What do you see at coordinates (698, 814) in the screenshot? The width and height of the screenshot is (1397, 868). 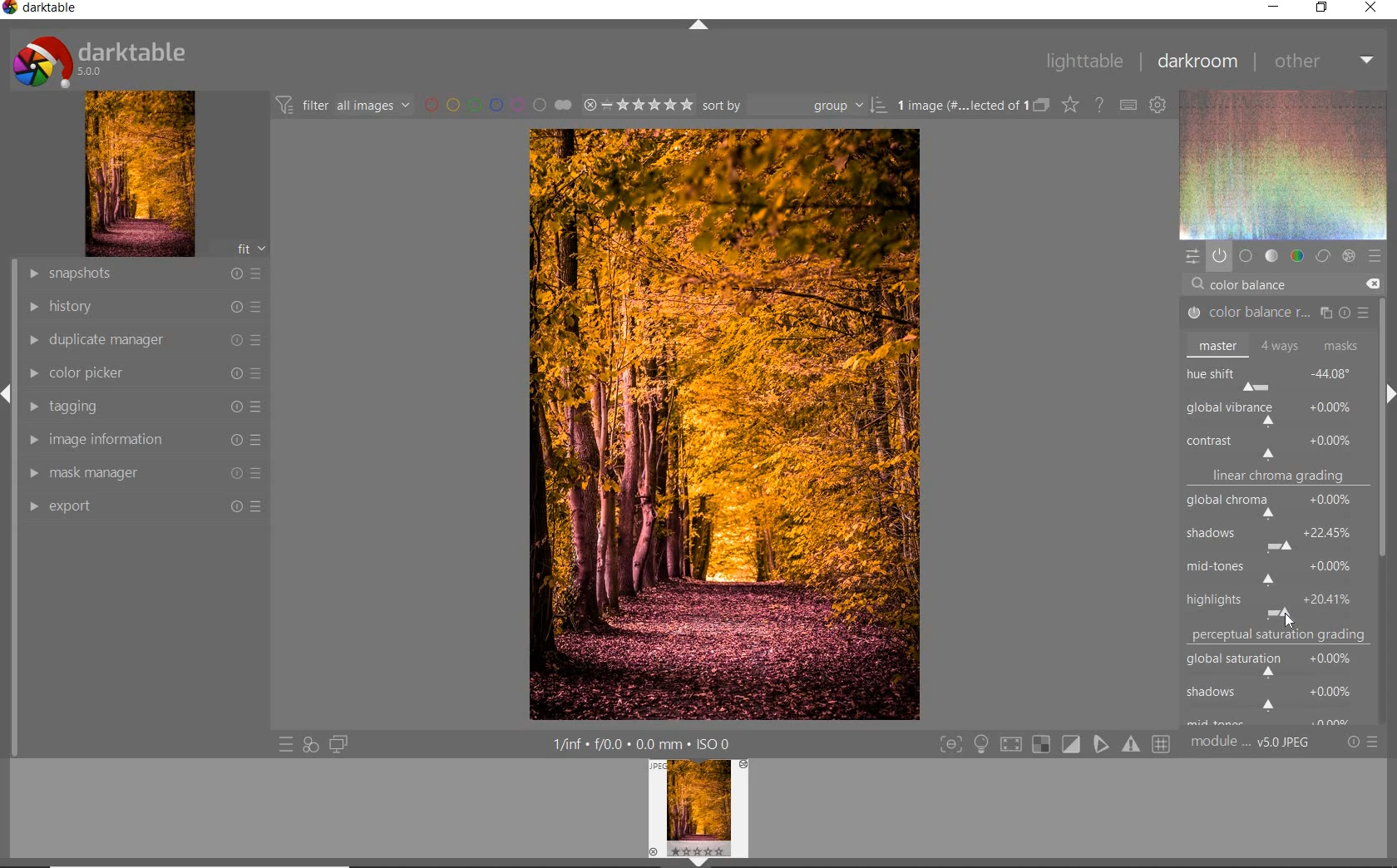 I see `image preview` at bounding box center [698, 814].